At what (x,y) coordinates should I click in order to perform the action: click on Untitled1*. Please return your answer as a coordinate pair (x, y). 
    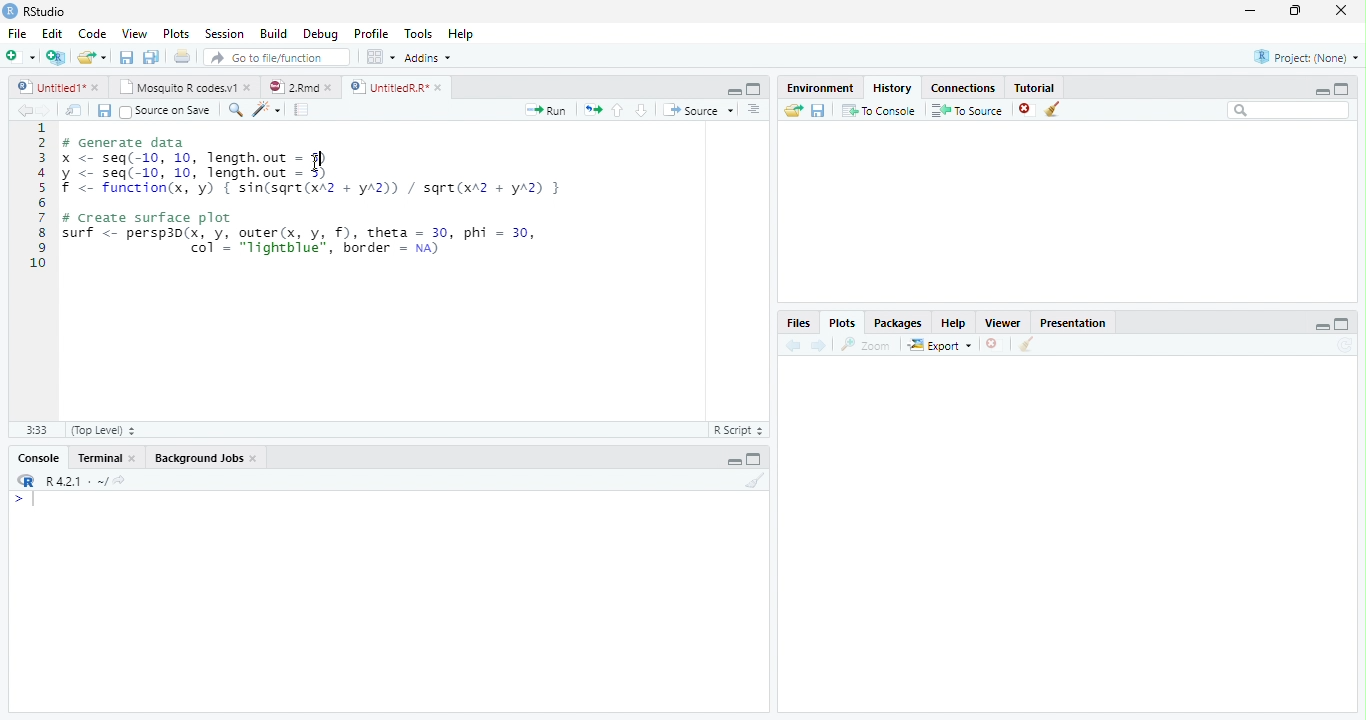
    Looking at the image, I should click on (48, 86).